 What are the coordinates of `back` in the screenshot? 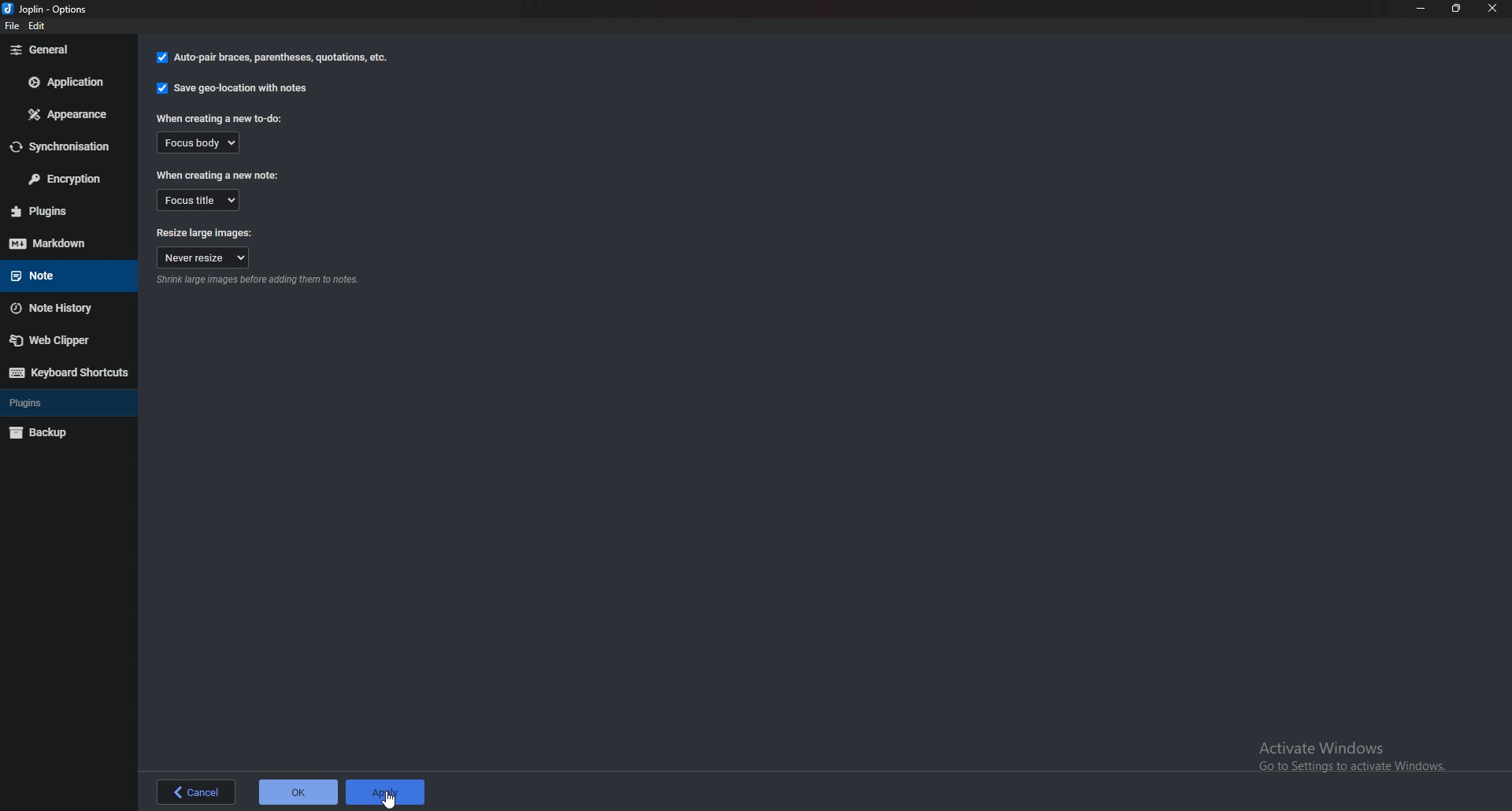 It's located at (191, 792).